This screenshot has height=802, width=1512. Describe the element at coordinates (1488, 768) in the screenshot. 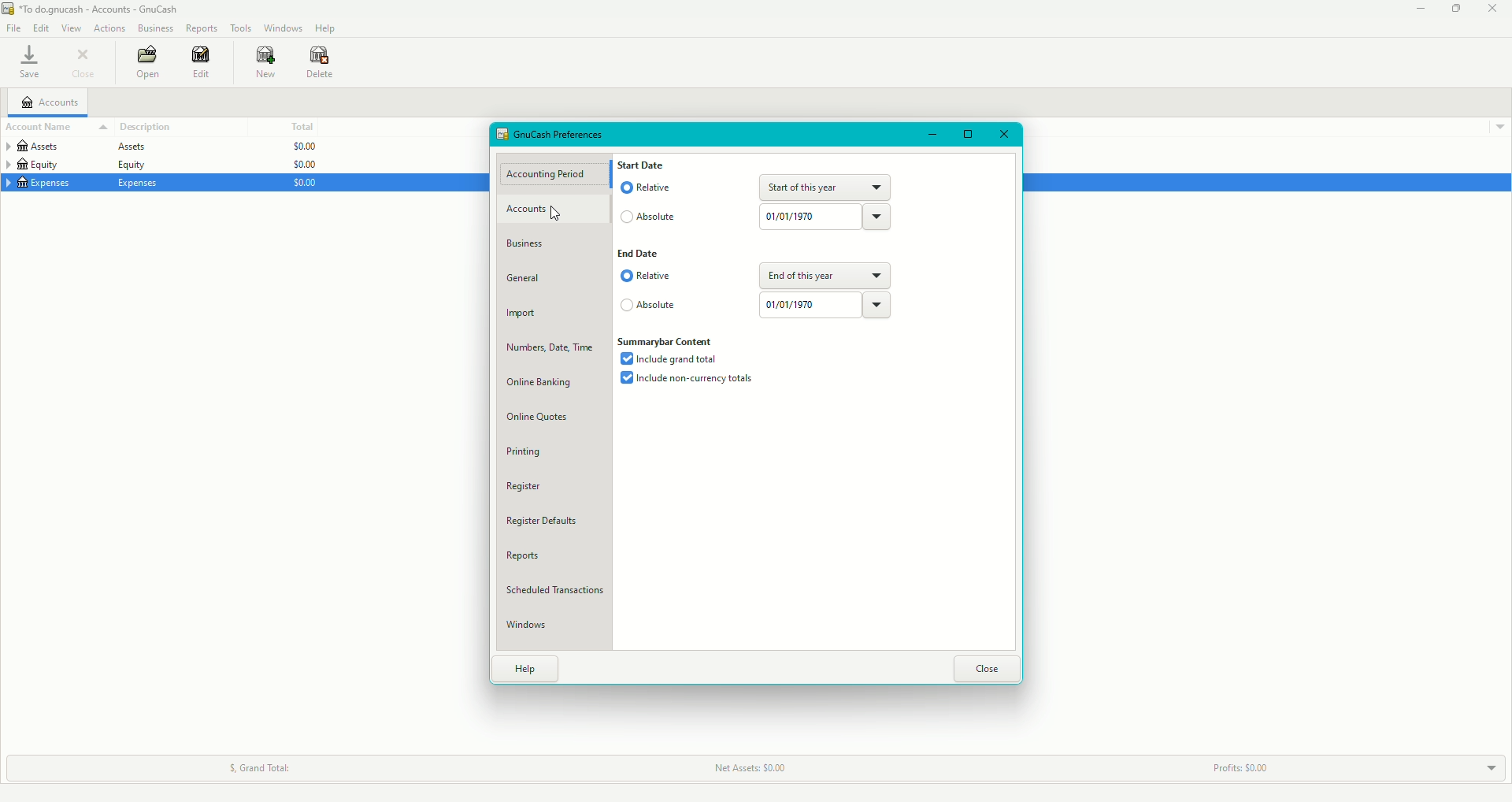

I see `Drop down` at that location.